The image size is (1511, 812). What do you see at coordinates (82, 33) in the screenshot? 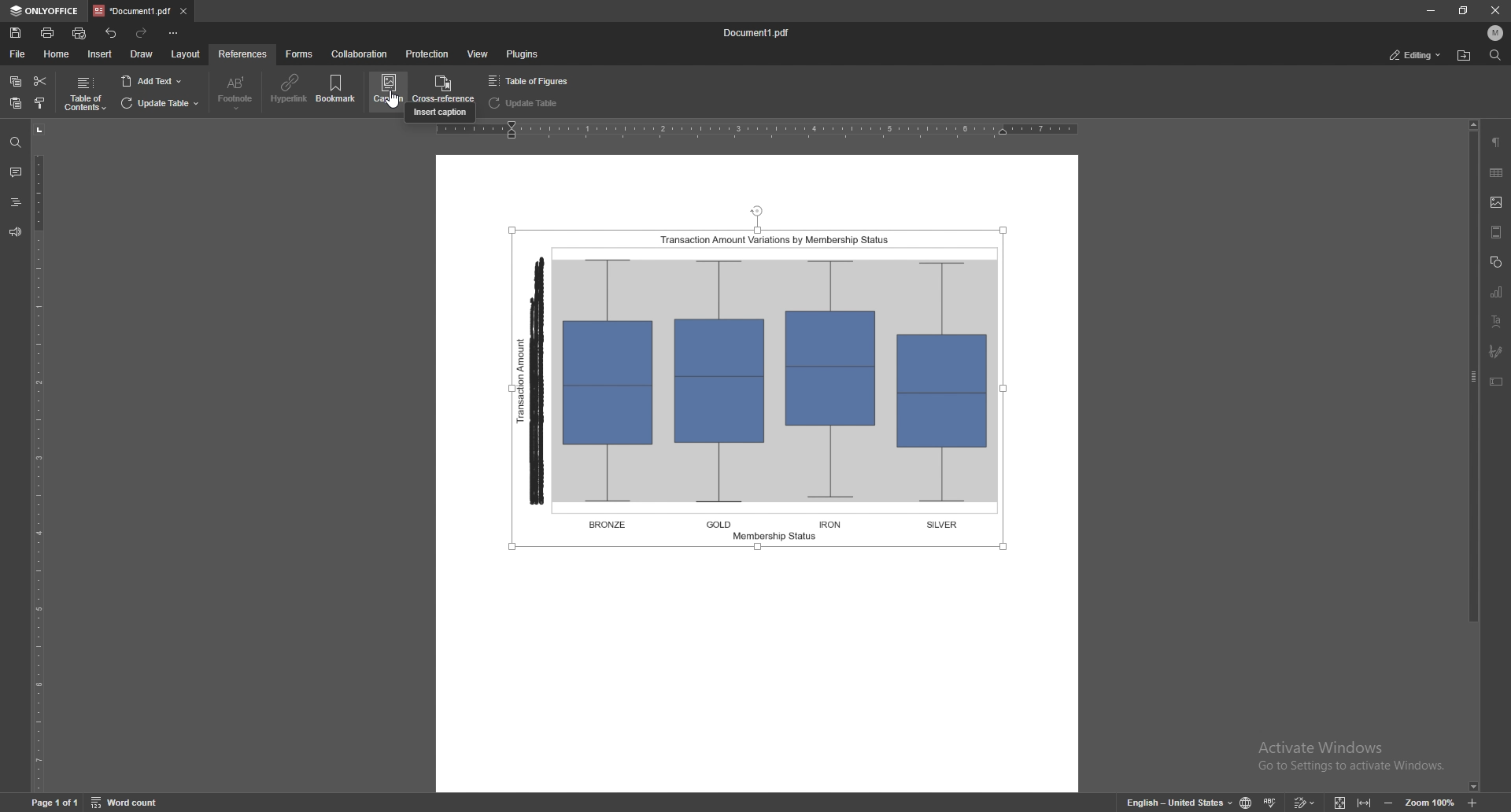
I see `quick print` at bounding box center [82, 33].